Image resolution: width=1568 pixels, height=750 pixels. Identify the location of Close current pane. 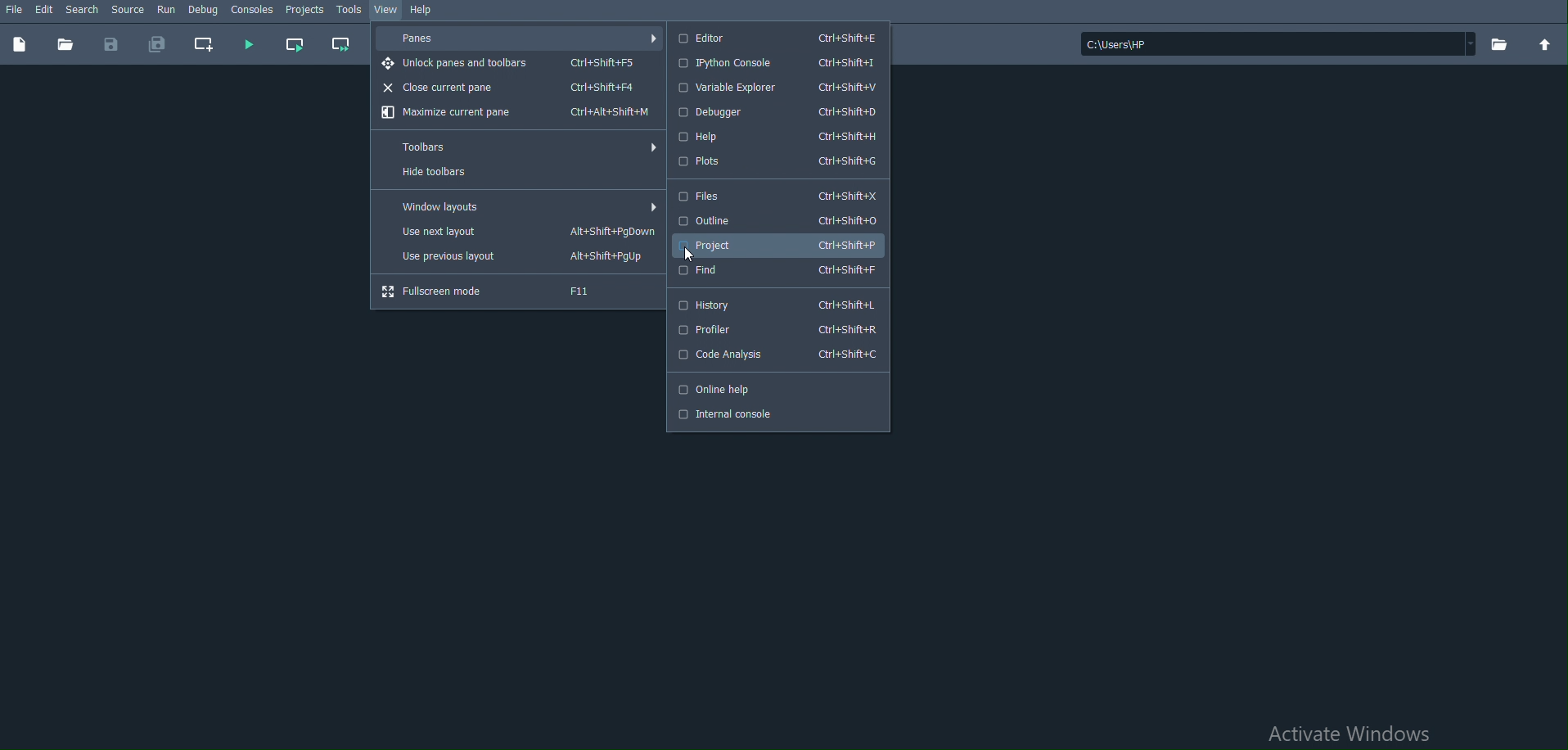
(517, 87).